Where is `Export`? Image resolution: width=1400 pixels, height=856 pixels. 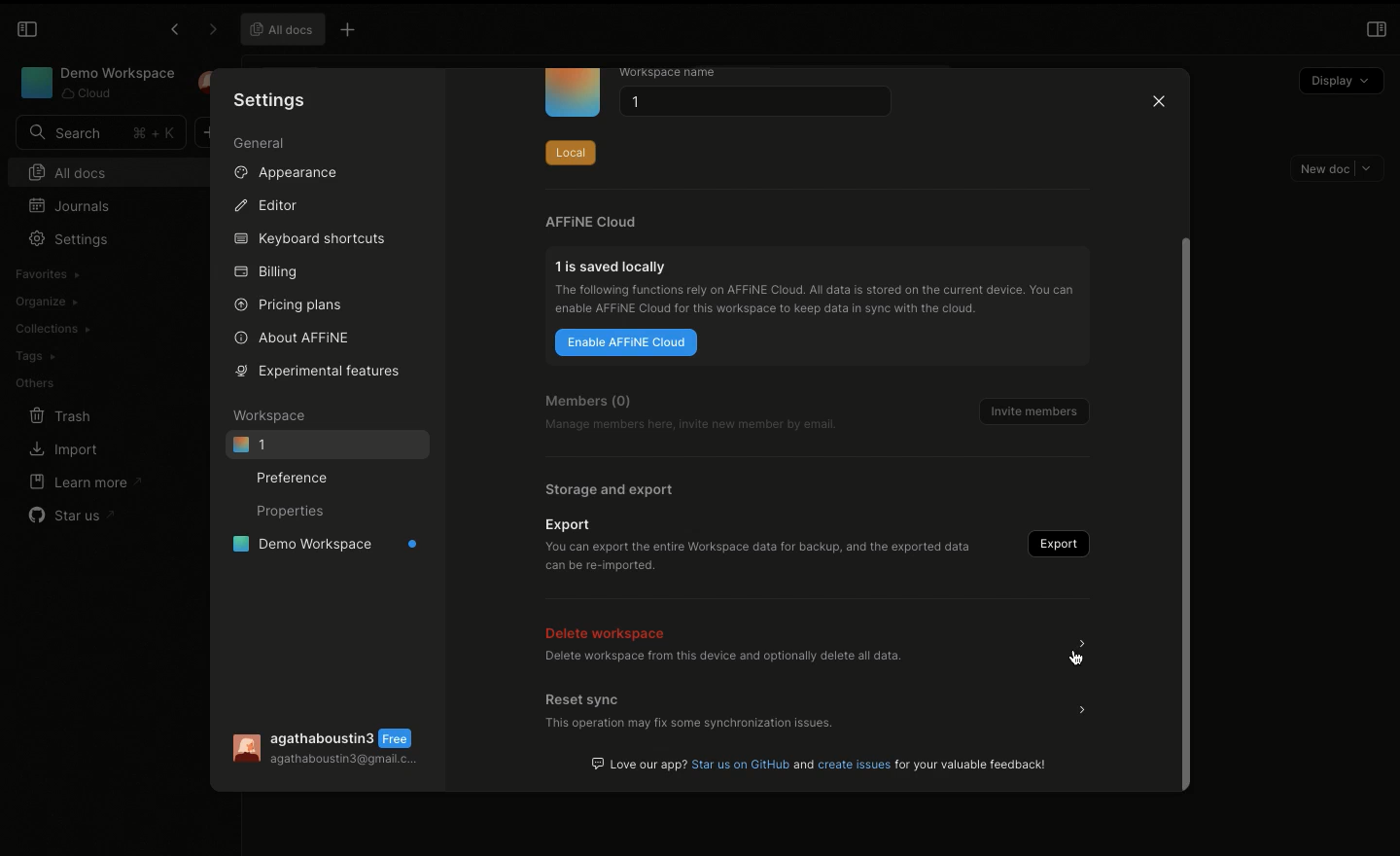
Export is located at coordinates (1054, 544).